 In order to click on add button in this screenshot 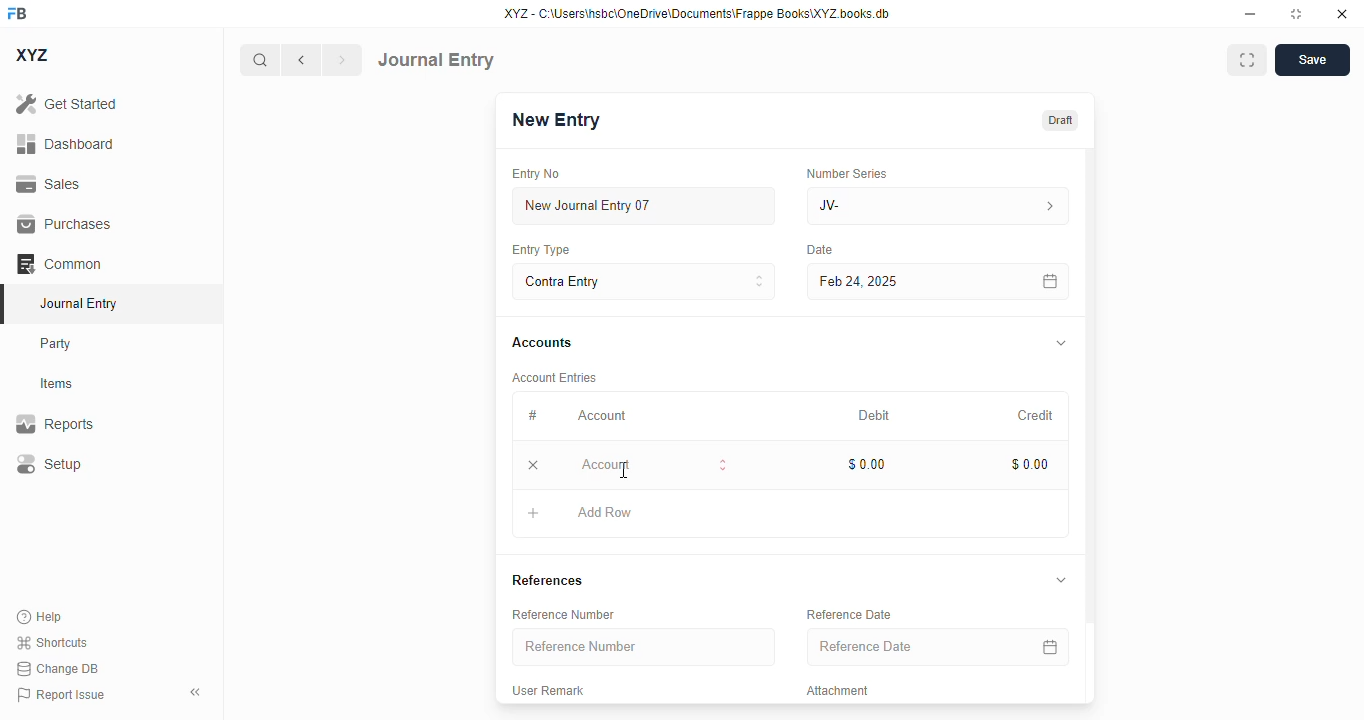, I will do `click(533, 513)`.